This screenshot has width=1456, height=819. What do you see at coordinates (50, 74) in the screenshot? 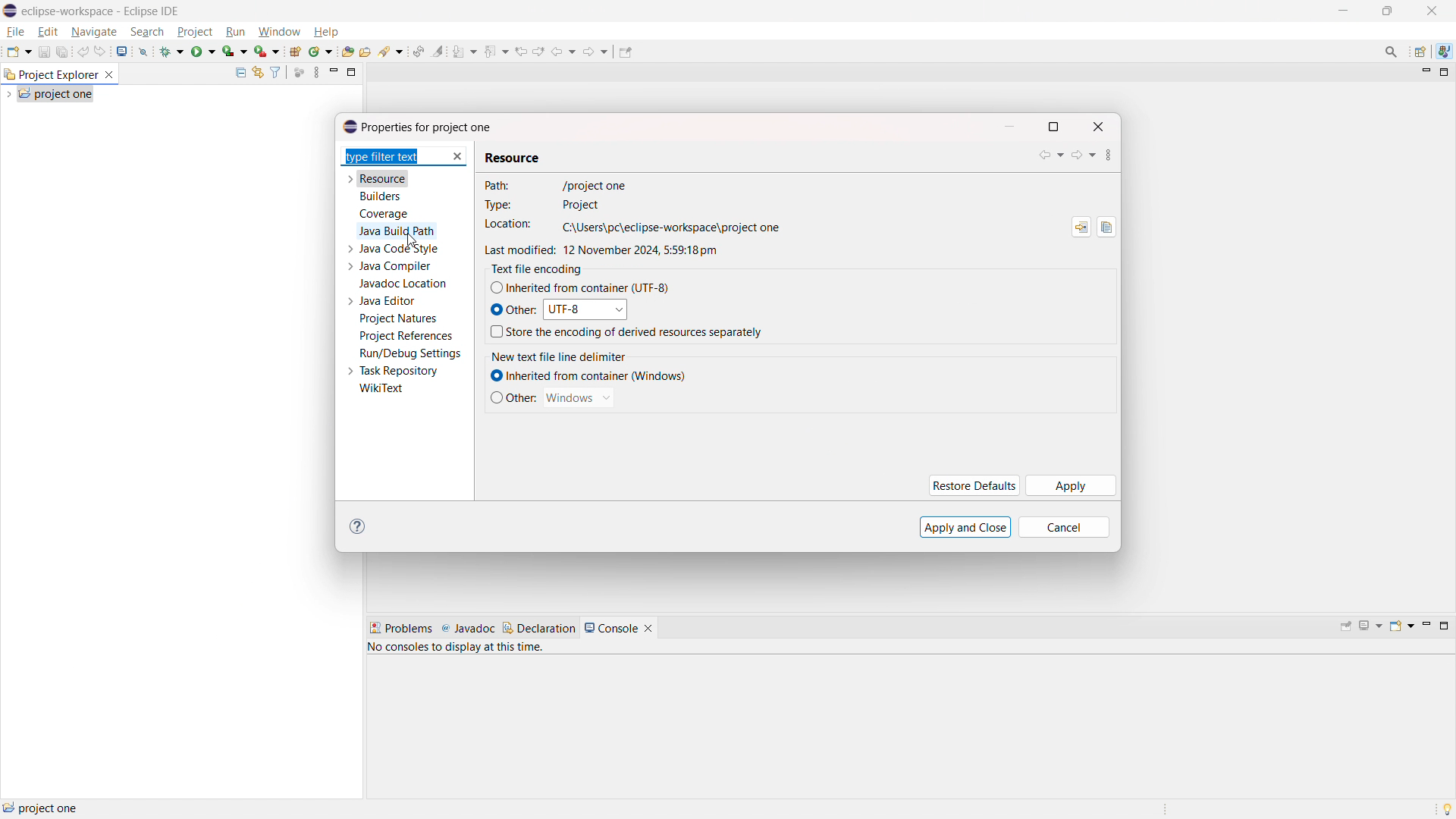
I see `project explorer` at bounding box center [50, 74].